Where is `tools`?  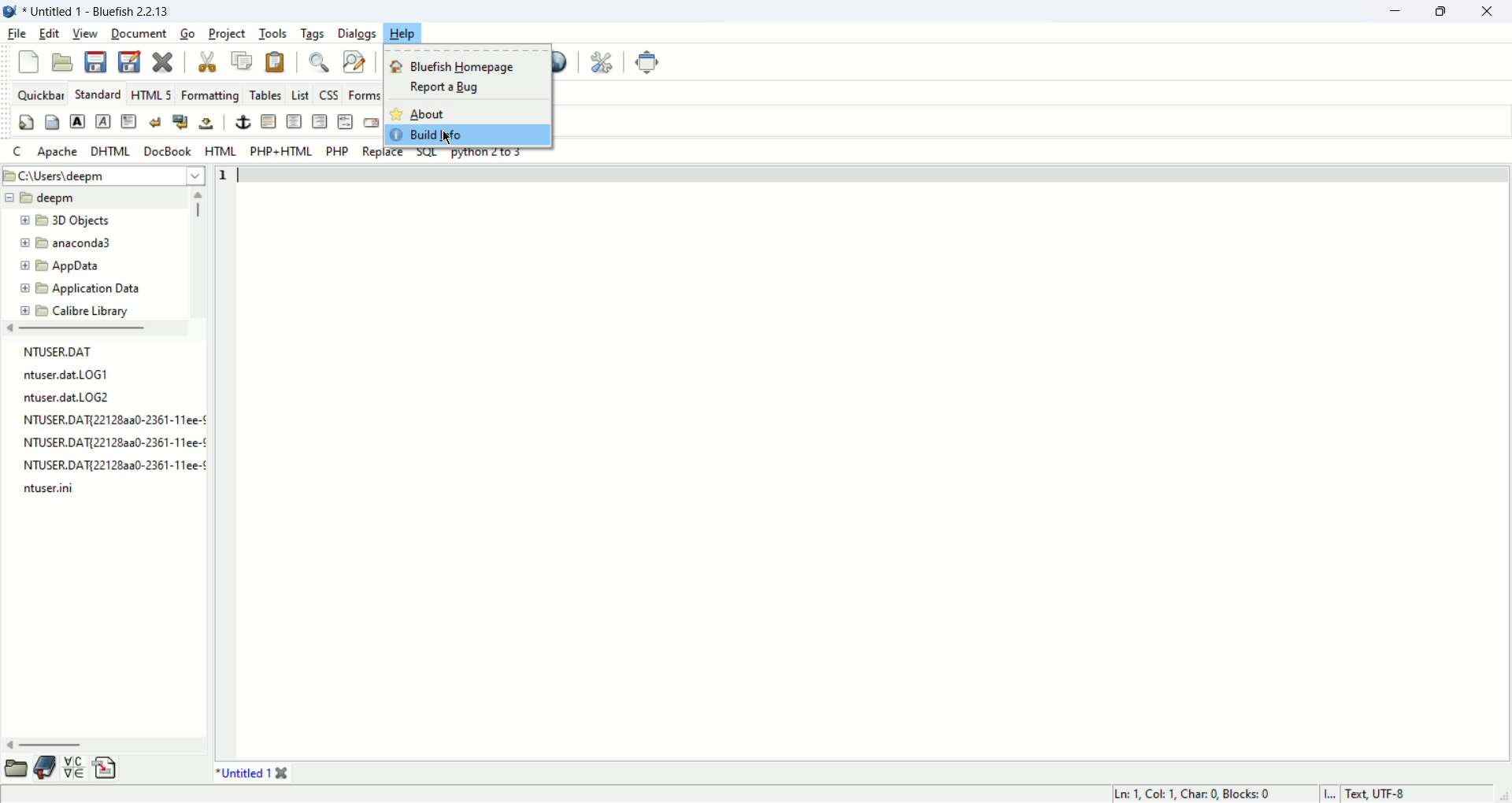
tools is located at coordinates (272, 34).